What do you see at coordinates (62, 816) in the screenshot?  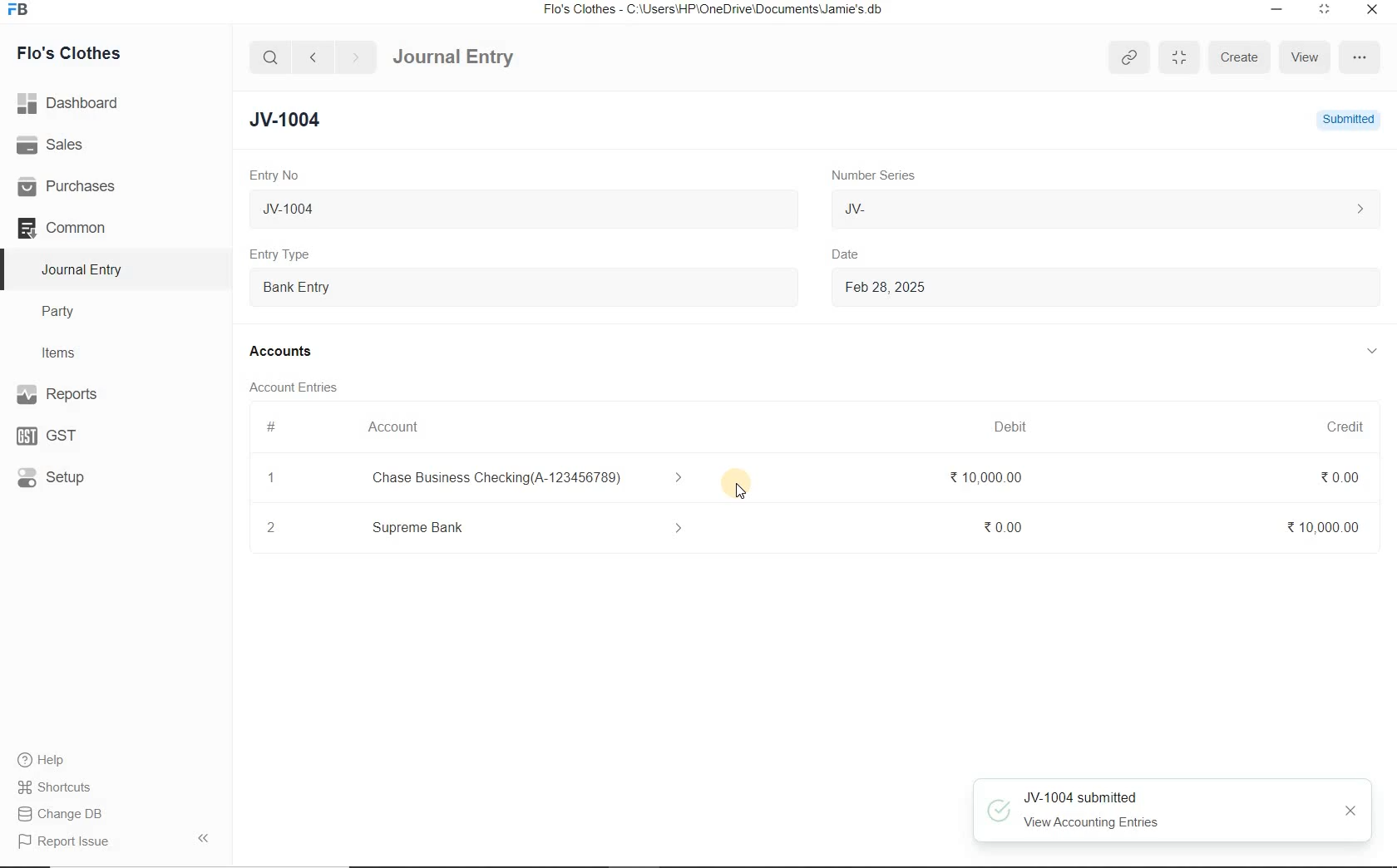 I see `Change DB` at bounding box center [62, 816].